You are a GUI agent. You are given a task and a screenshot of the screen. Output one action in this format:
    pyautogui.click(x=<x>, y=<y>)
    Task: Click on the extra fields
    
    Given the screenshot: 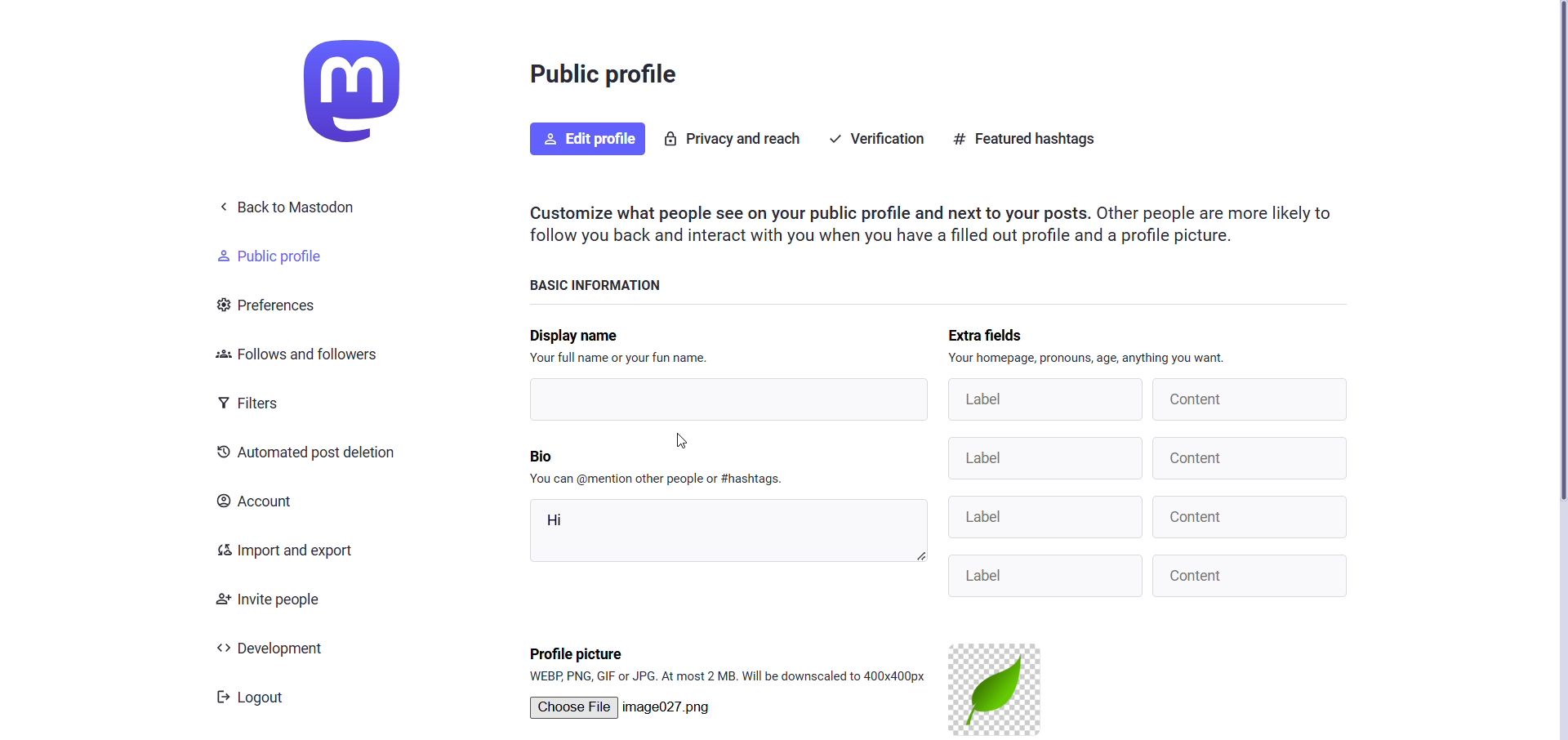 What is the action you would take?
    pyautogui.click(x=991, y=332)
    